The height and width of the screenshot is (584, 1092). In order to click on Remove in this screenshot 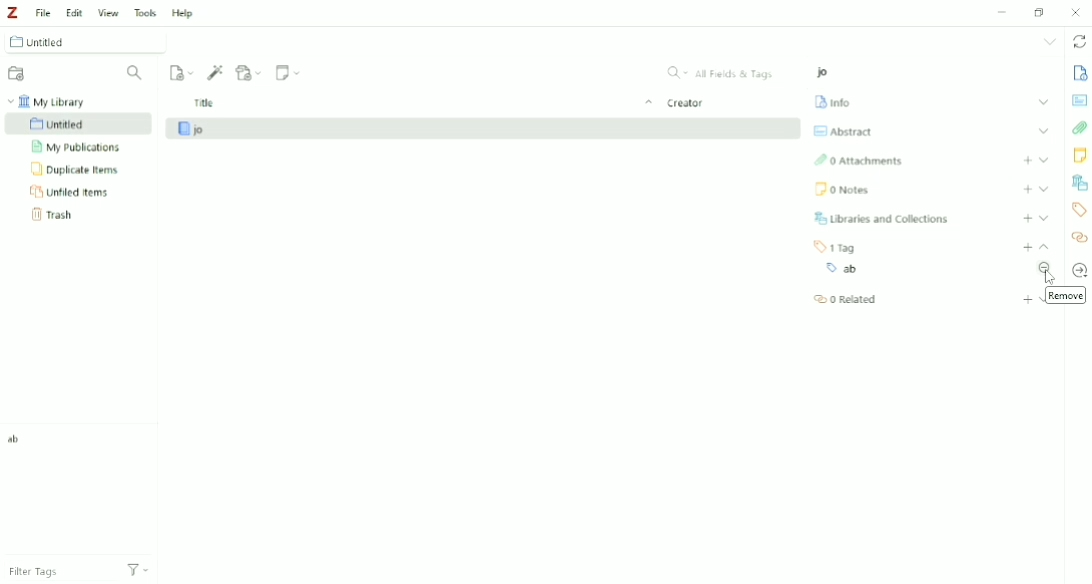, I will do `click(1046, 272)`.